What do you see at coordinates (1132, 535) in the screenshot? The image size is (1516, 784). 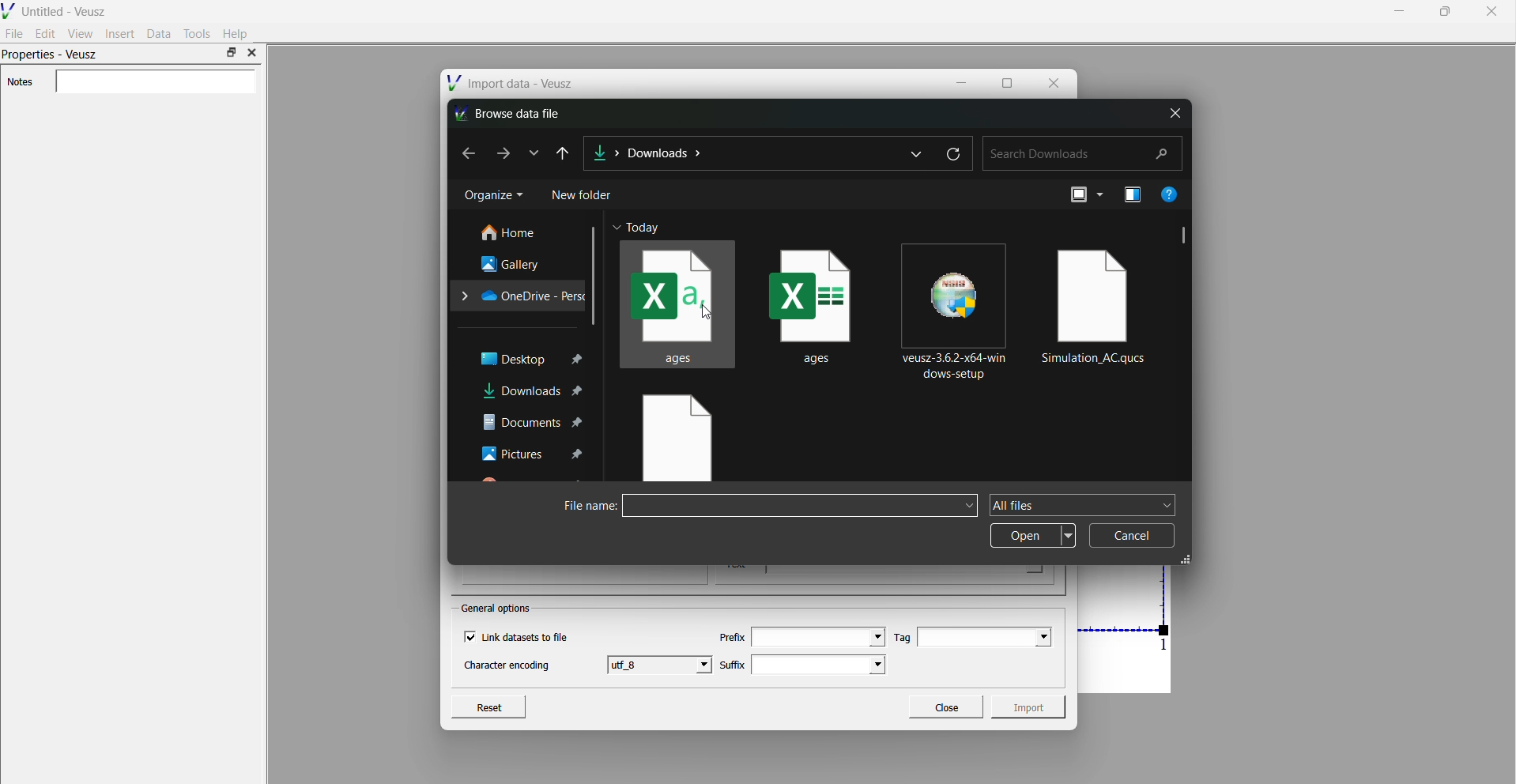 I see `Cancel` at bounding box center [1132, 535].